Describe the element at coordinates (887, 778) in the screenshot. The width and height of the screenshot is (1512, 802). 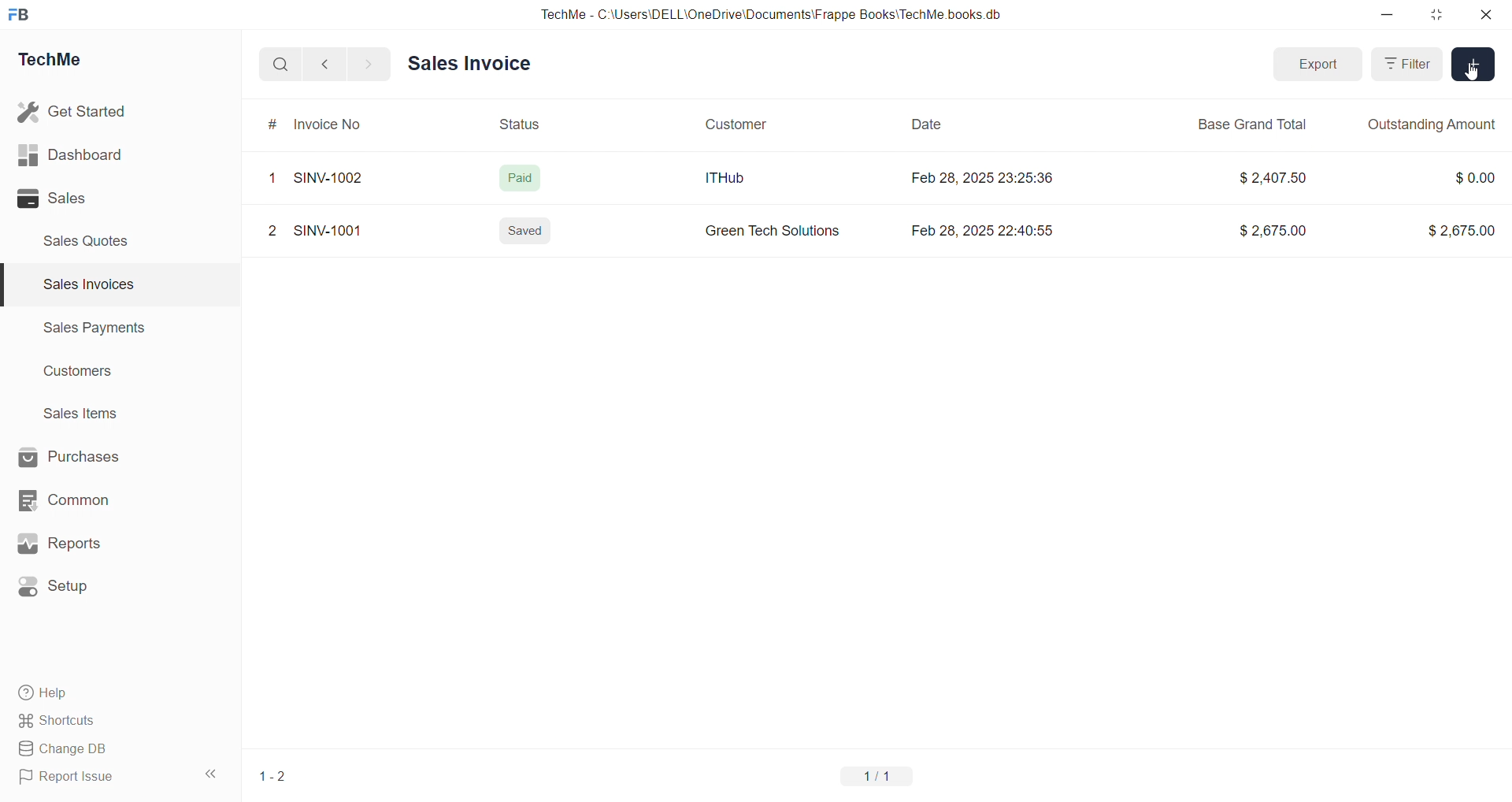
I see `1/1` at that location.